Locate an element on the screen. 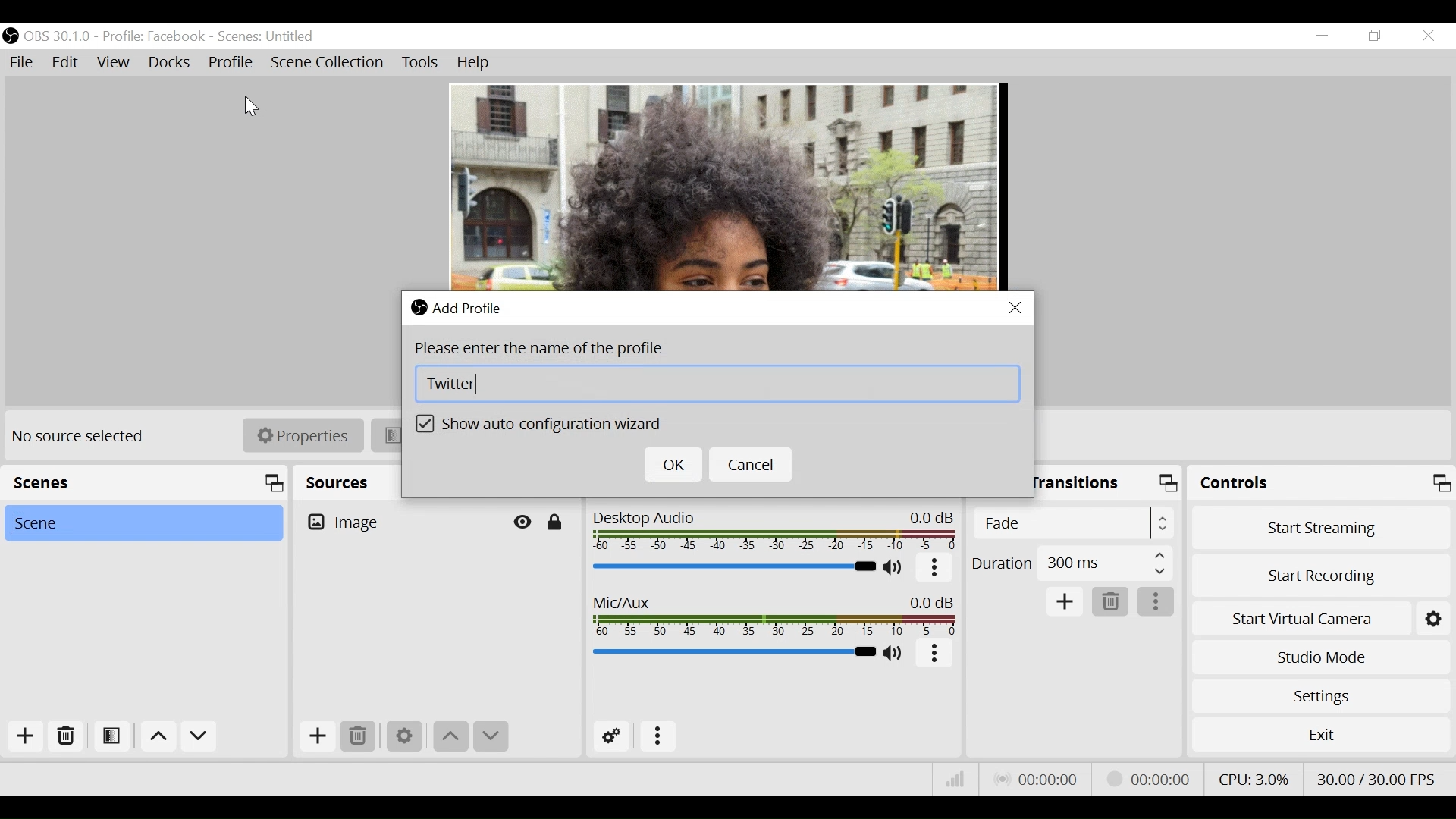 The image size is (1456, 819). Delete is located at coordinates (358, 736).